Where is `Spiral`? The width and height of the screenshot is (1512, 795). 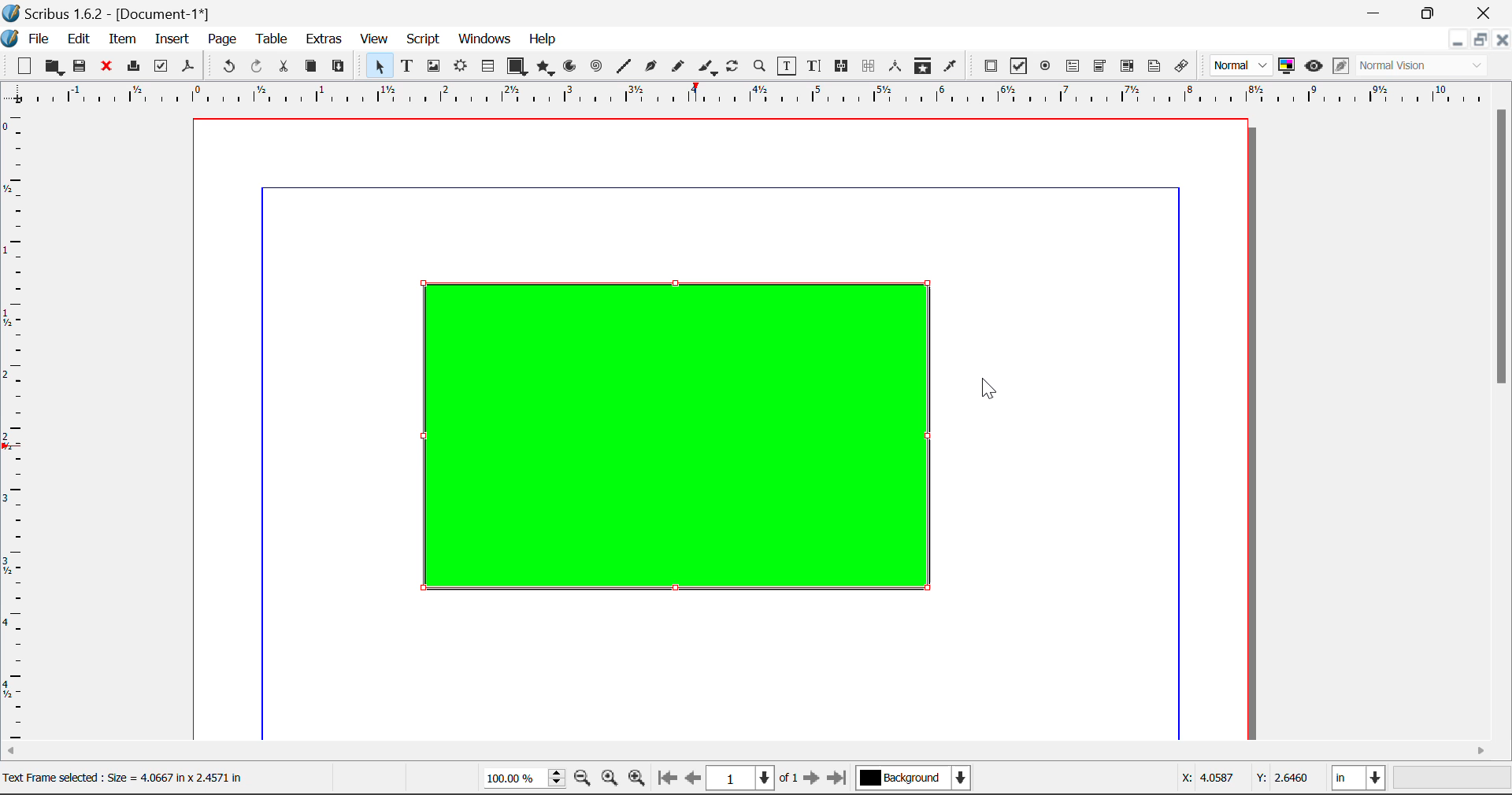
Spiral is located at coordinates (596, 66).